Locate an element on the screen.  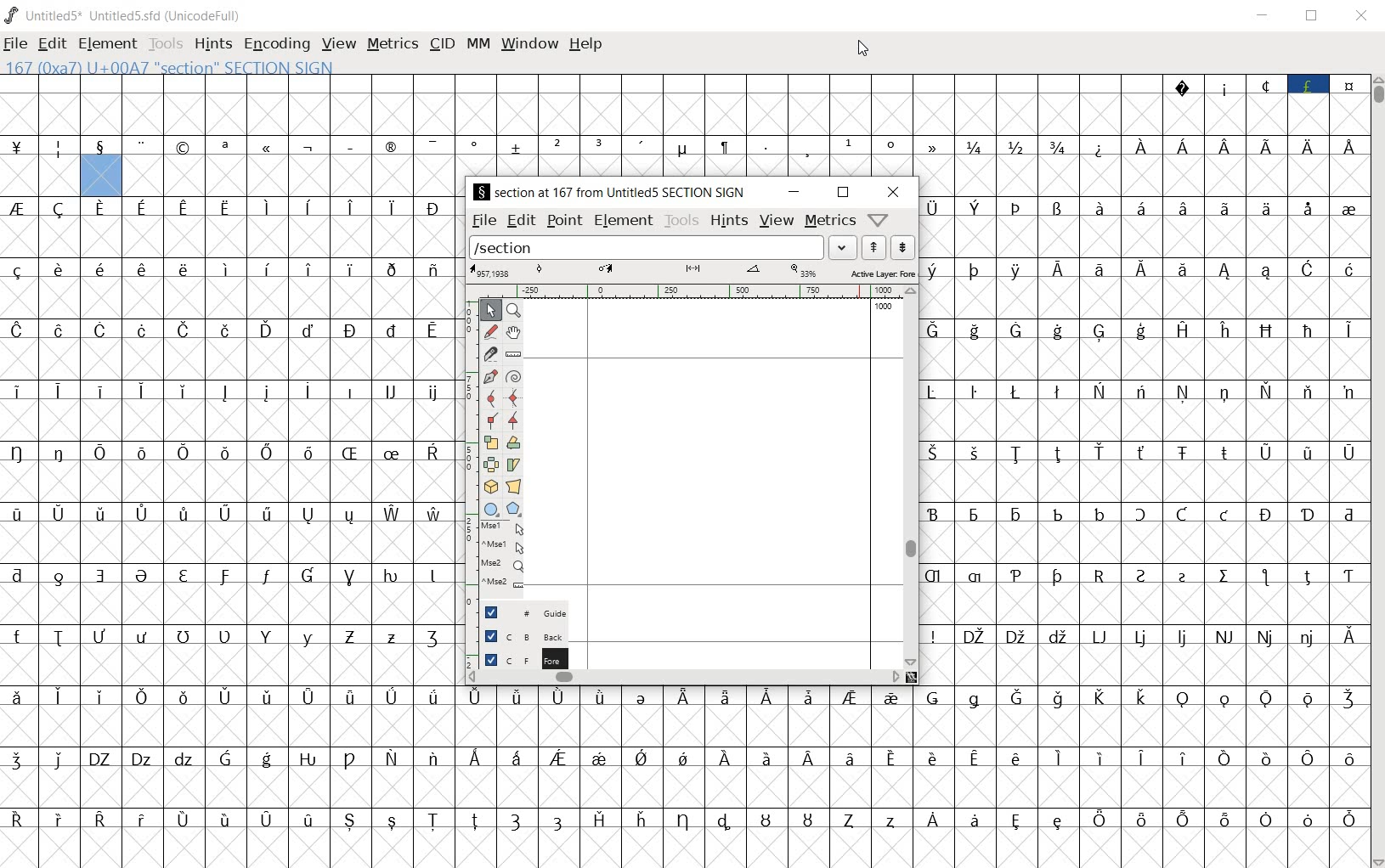
background layer is located at coordinates (526, 635).